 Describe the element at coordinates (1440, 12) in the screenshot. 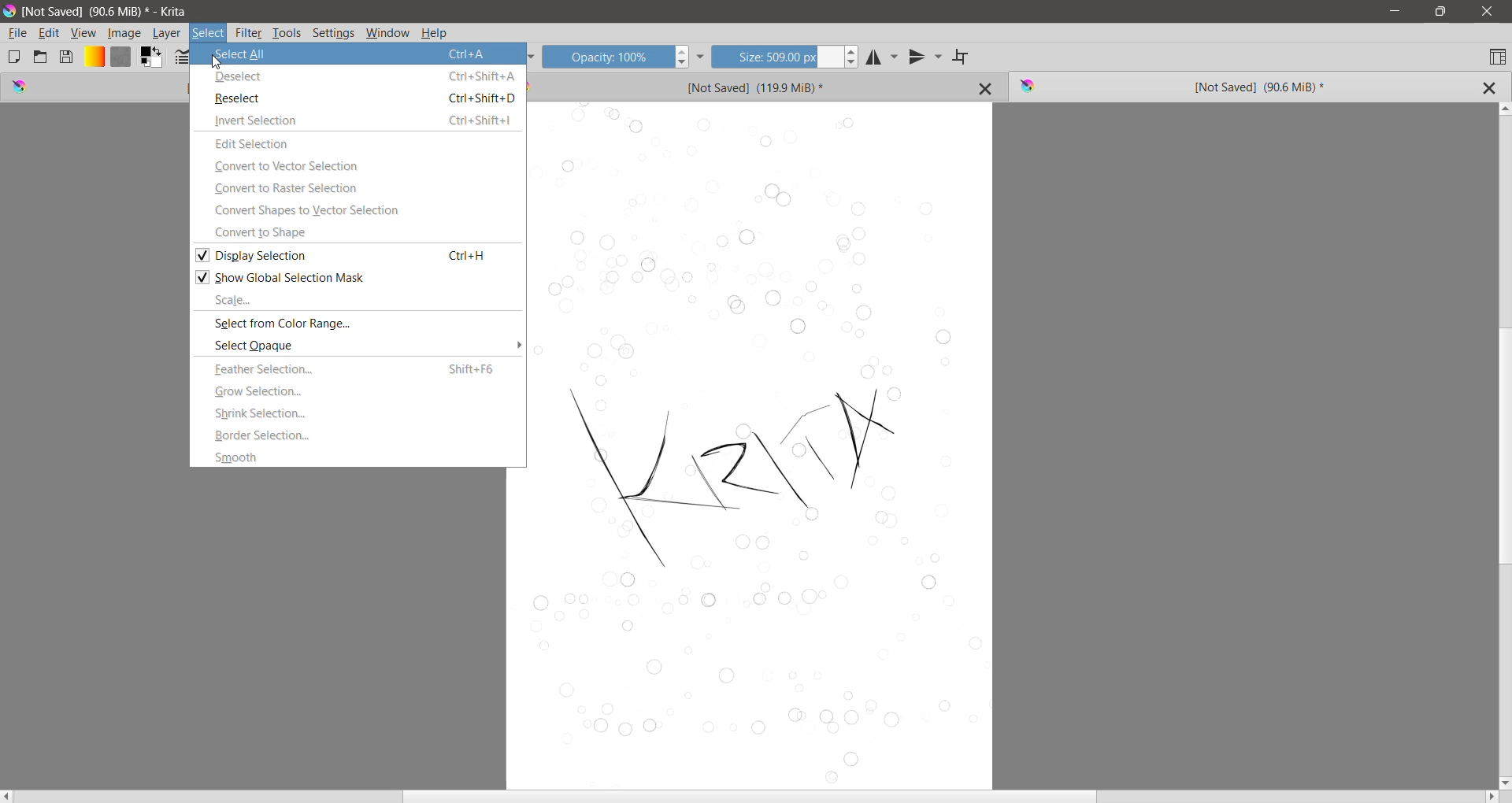

I see `Restore Down` at that location.